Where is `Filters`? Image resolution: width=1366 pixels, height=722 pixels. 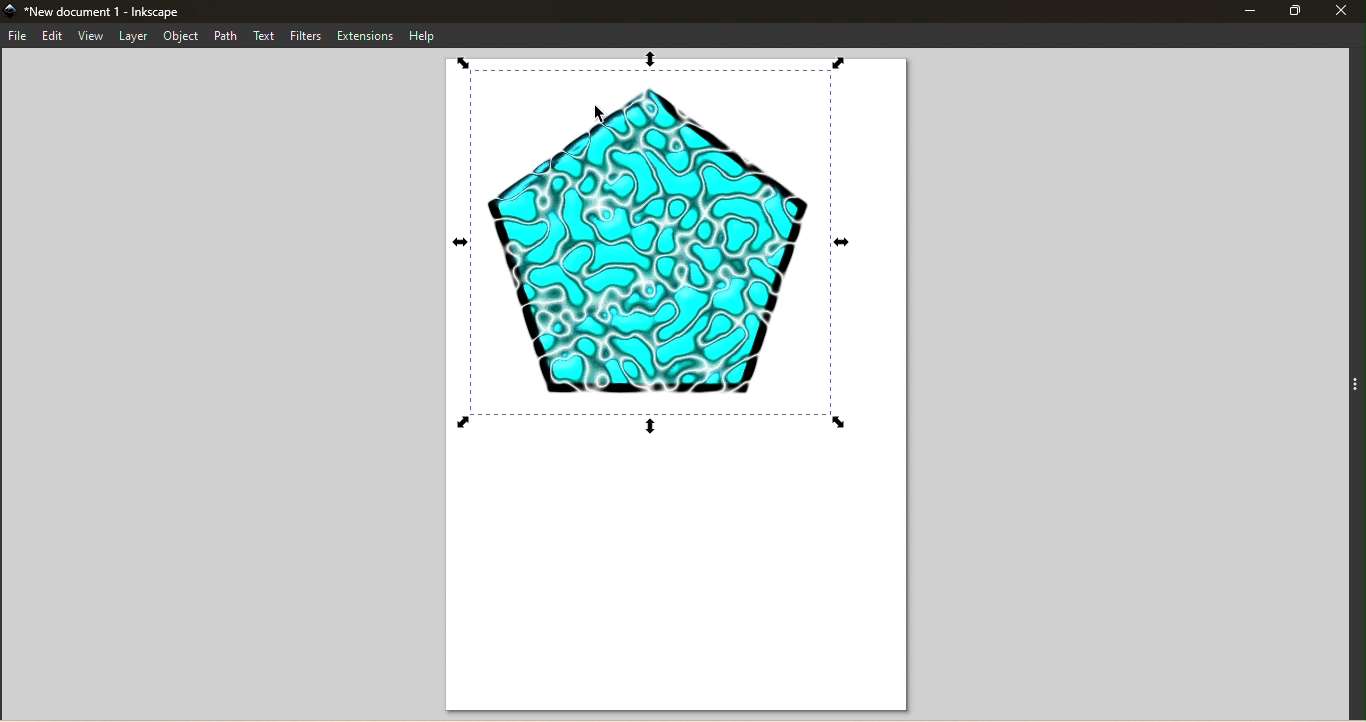
Filters is located at coordinates (308, 35).